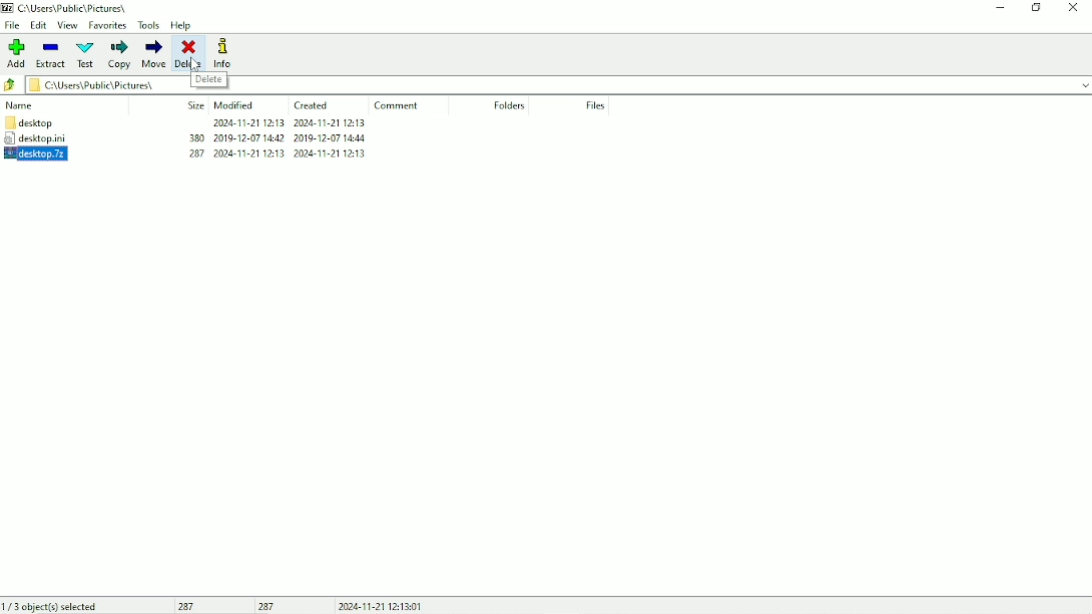  I want to click on Modified, so click(235, 105).